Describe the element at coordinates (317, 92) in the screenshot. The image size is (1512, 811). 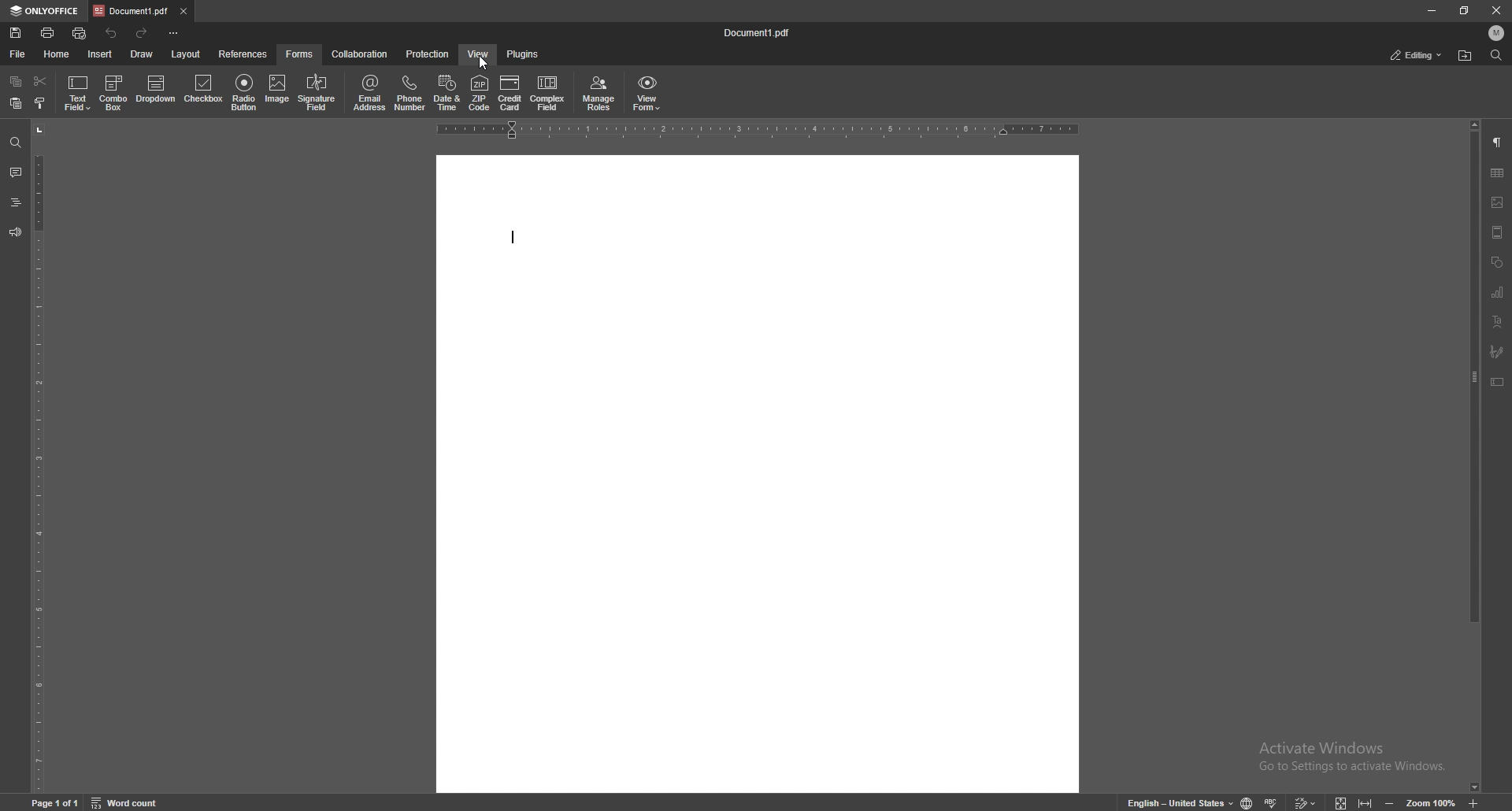
I see `signature field` at that location.